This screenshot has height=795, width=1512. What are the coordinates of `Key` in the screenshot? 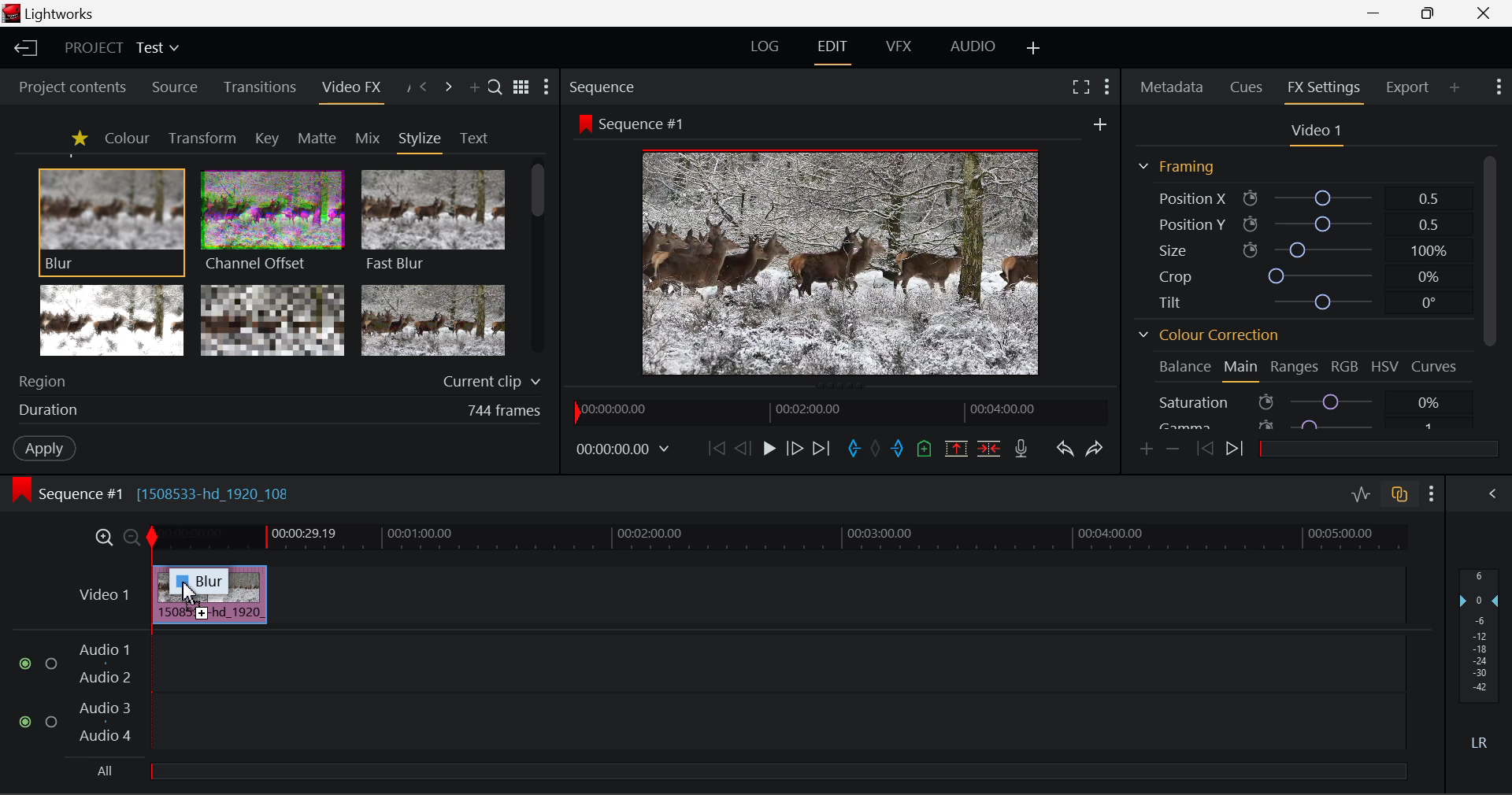 It's located at (266, 139).